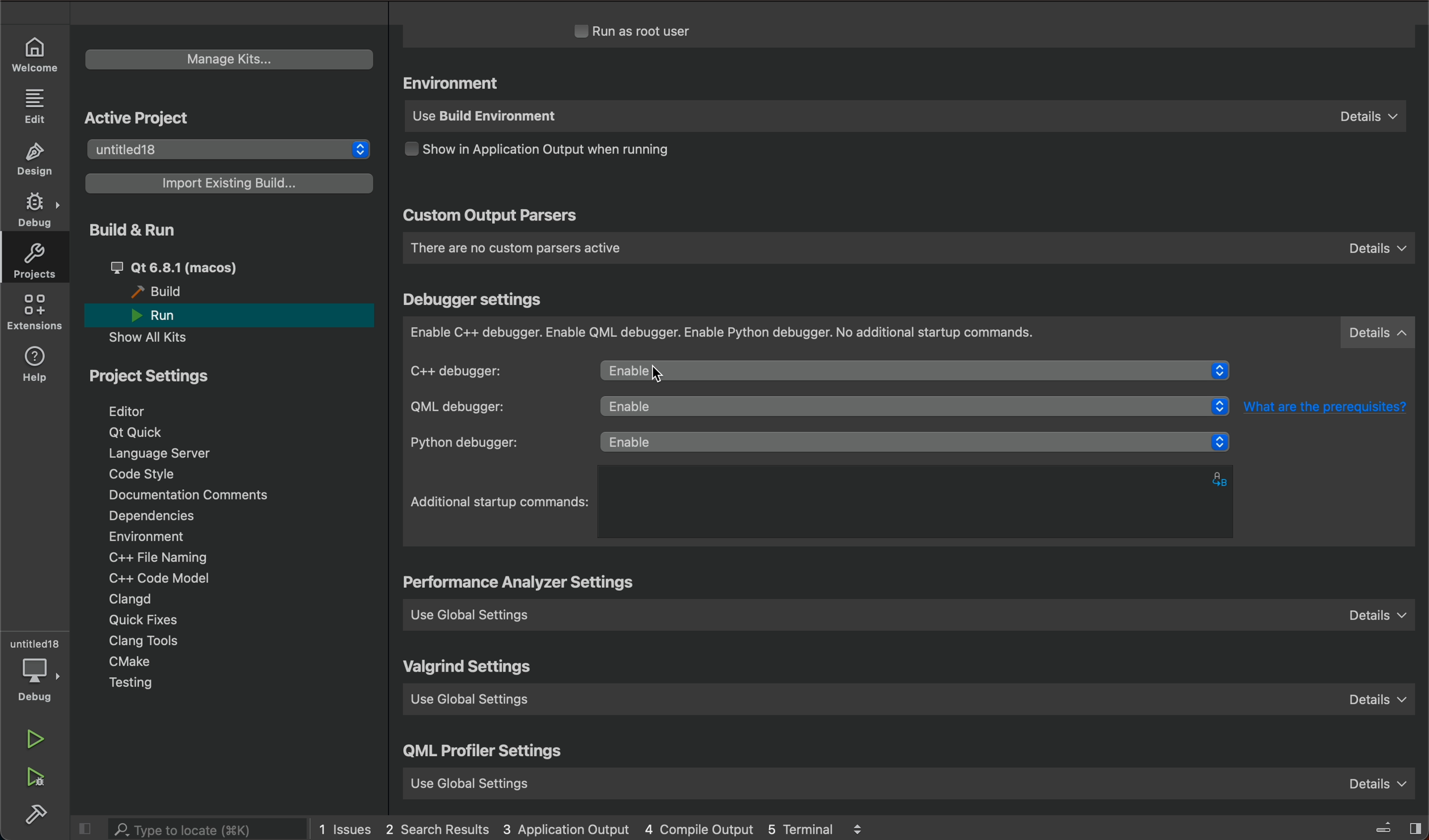  Describe the element at coordinates (147, 621) in the screenshot. I see `quick ` at that location.